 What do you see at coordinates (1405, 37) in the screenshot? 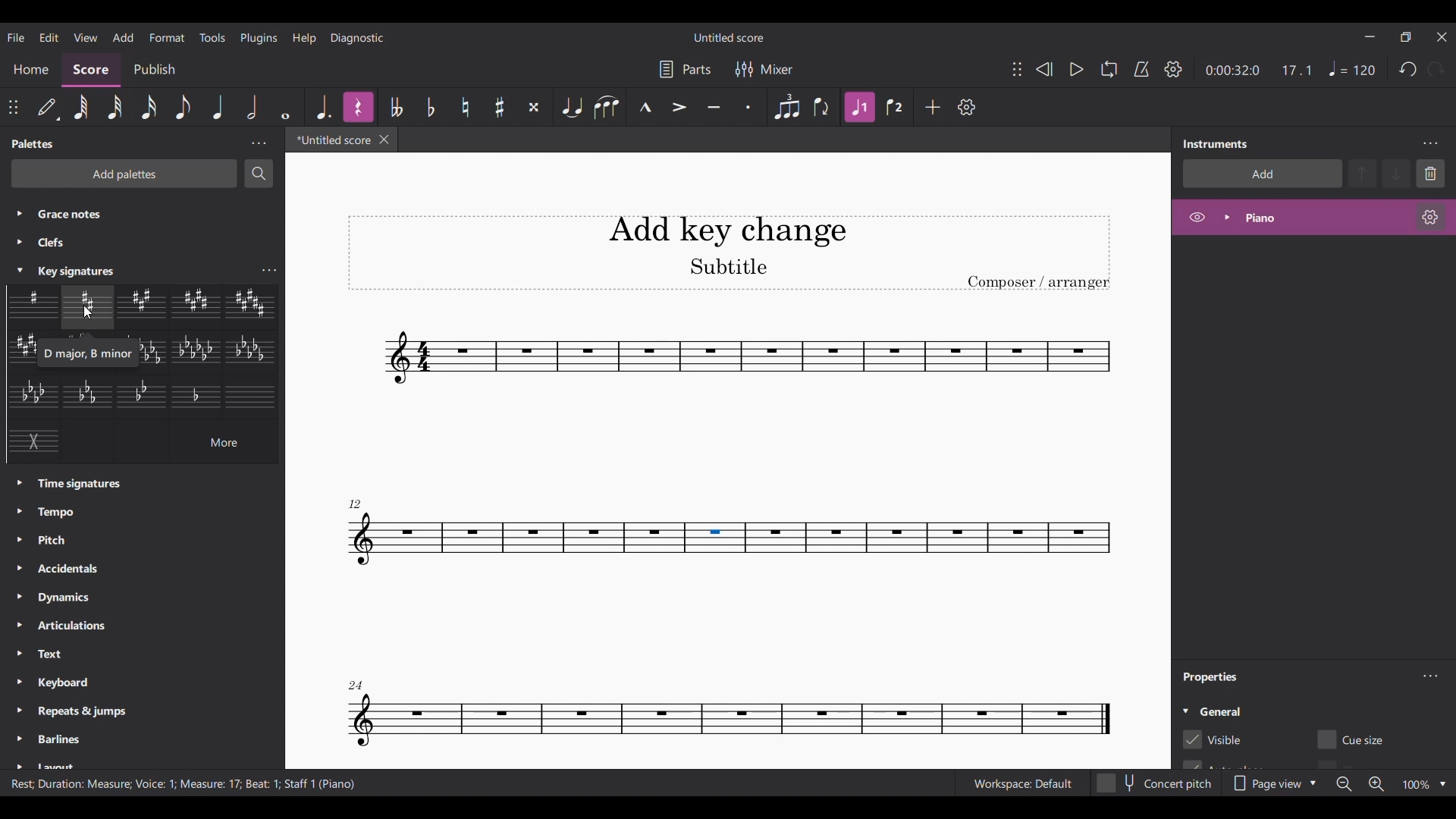
I see `Show interface in a smaller tab` at bounding box center [1405, 37].